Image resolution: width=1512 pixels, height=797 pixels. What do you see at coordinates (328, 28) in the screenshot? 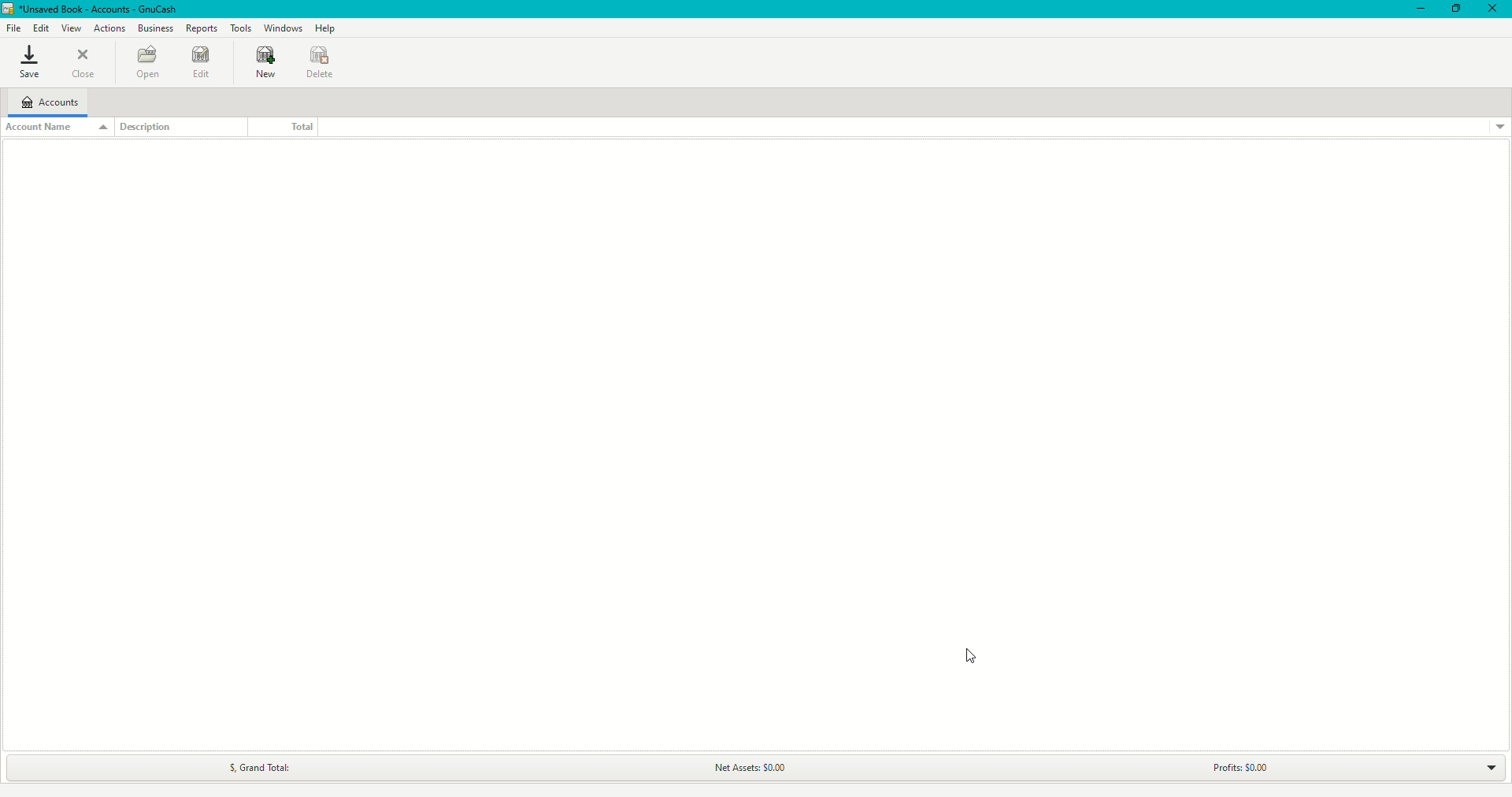
I see `Help` at bounding box center [328, 28].